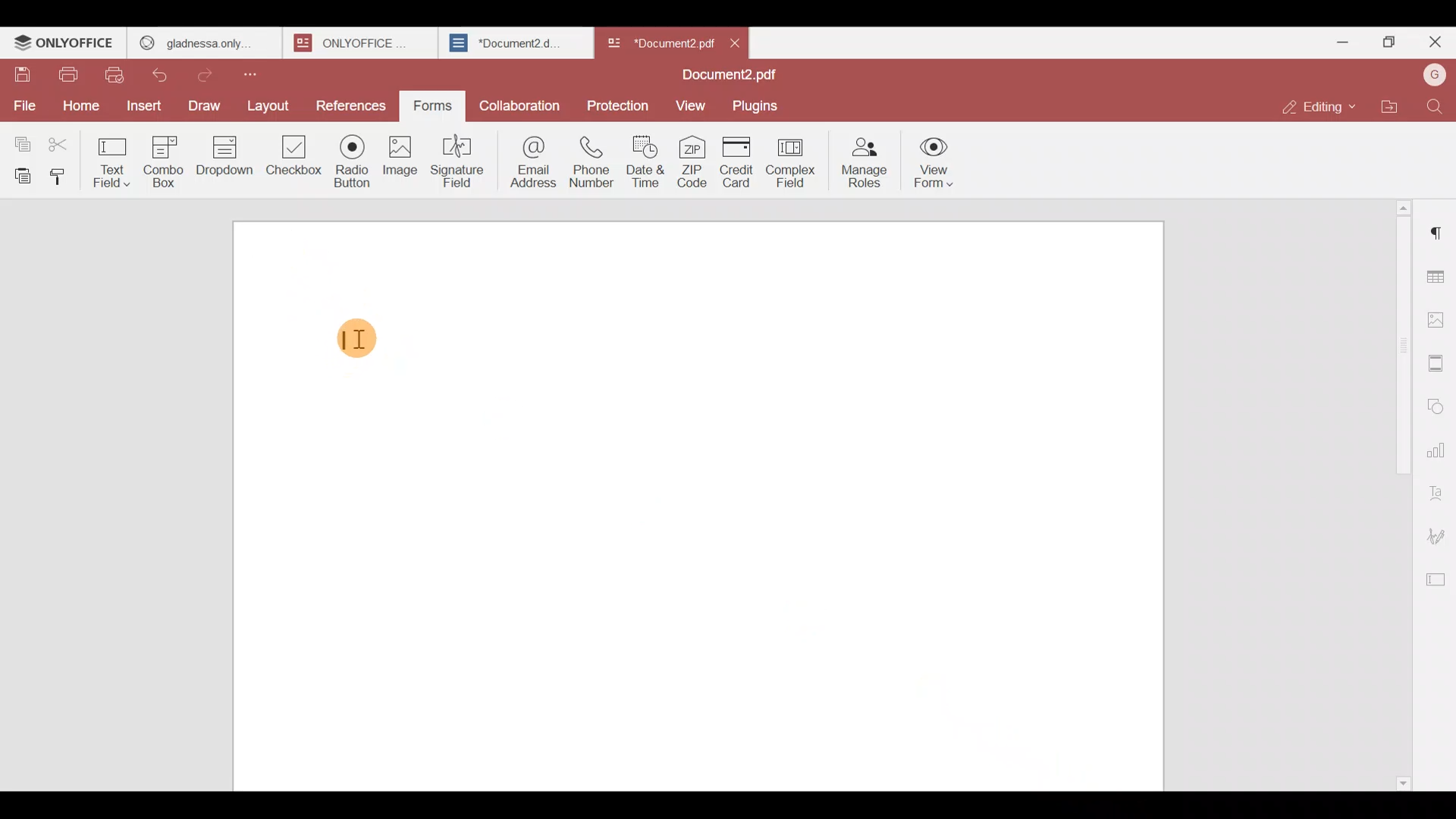 The width and height of the screenshot is (1456, 819). I want to click on Account name, so click(1434, 75).